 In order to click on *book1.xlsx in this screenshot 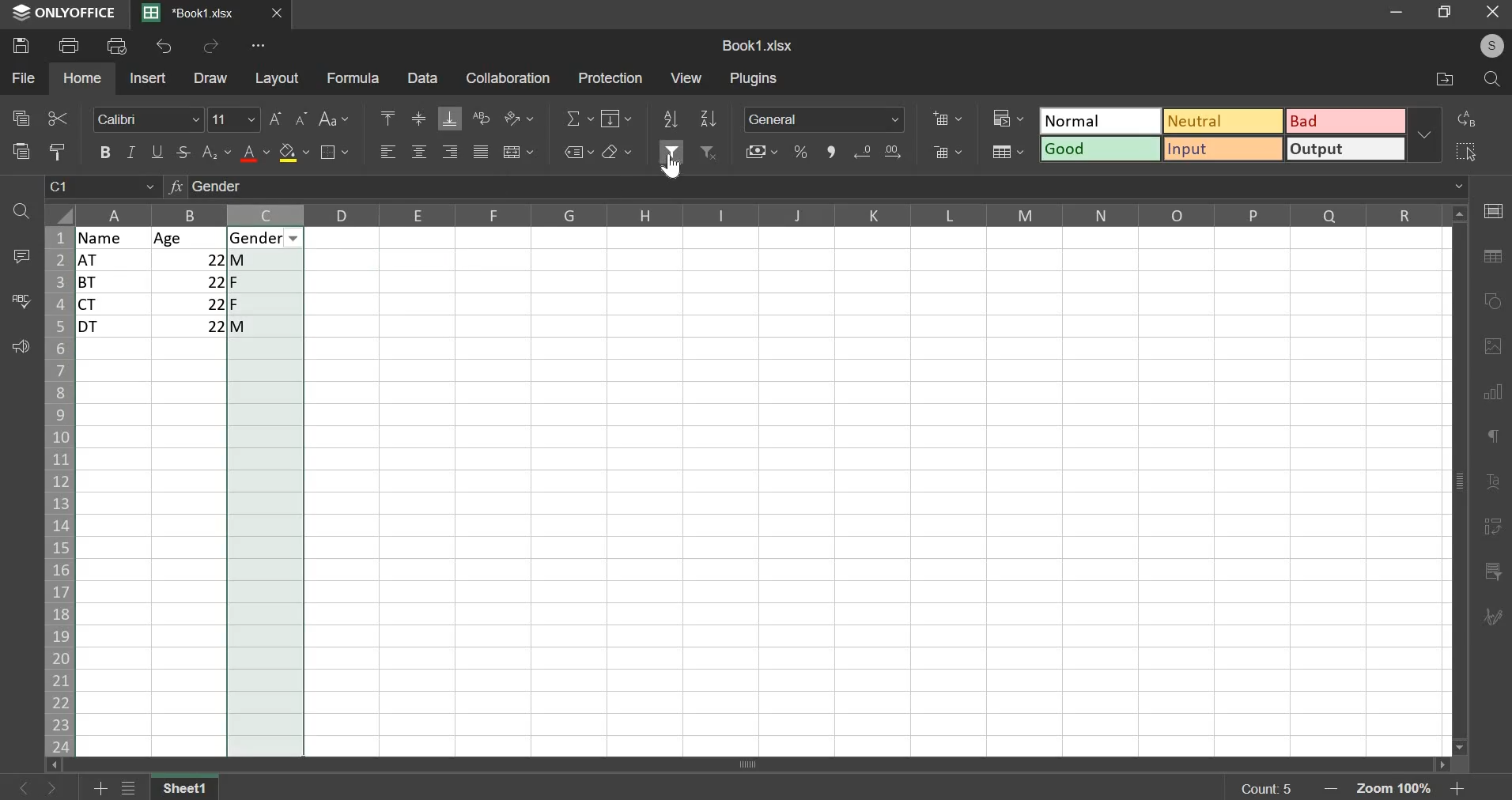, I will do `click(191, 13)`.